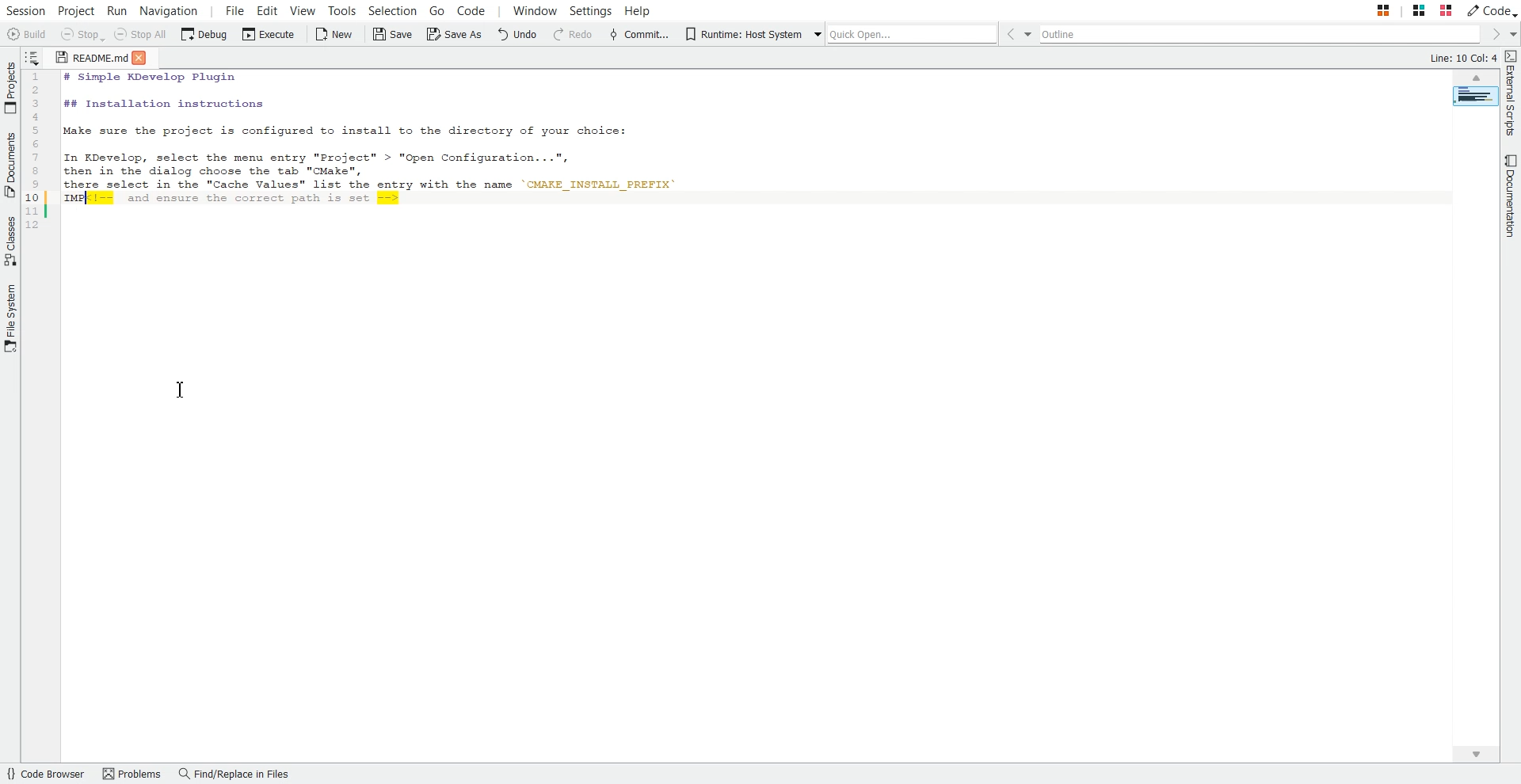  I want to click on ## Installation Instructions, so click(162, 105).